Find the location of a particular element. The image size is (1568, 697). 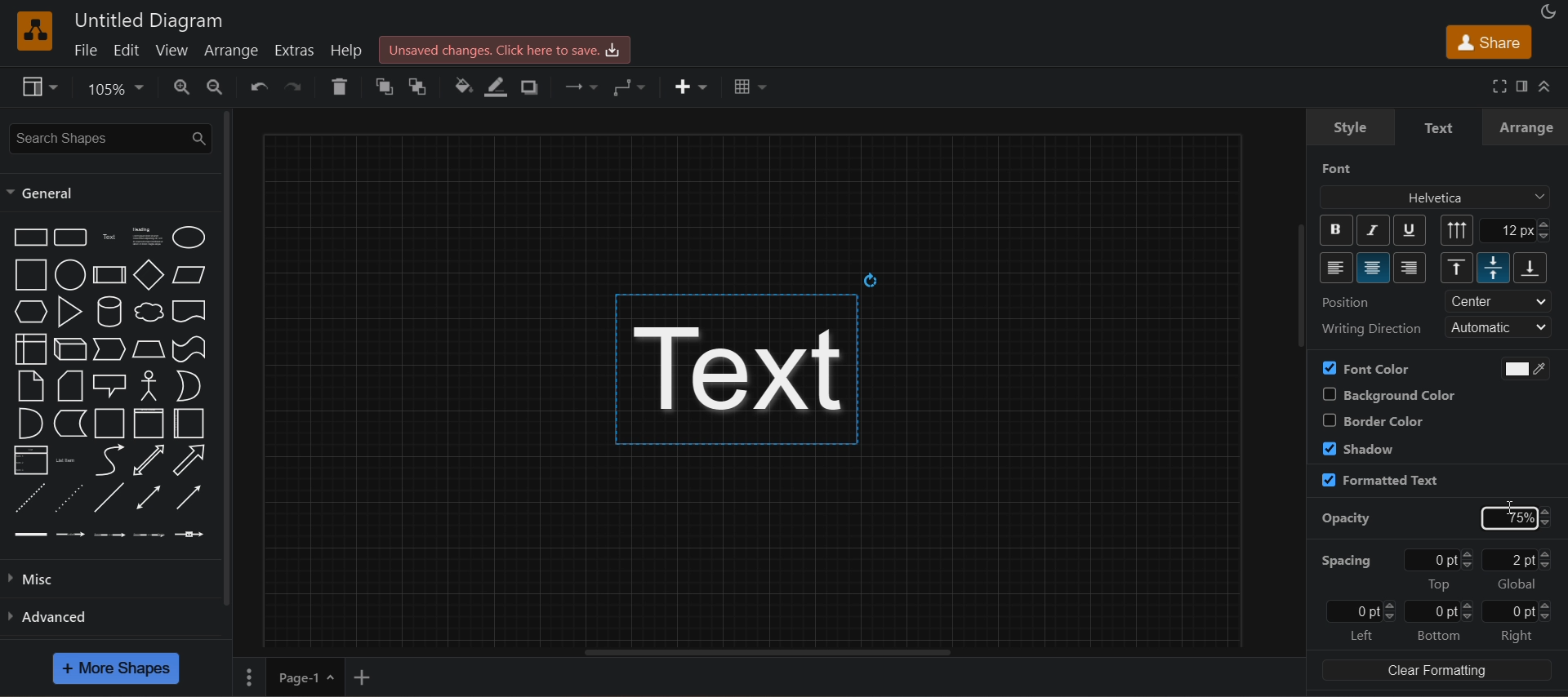

view is located at coordinates (42, 87).